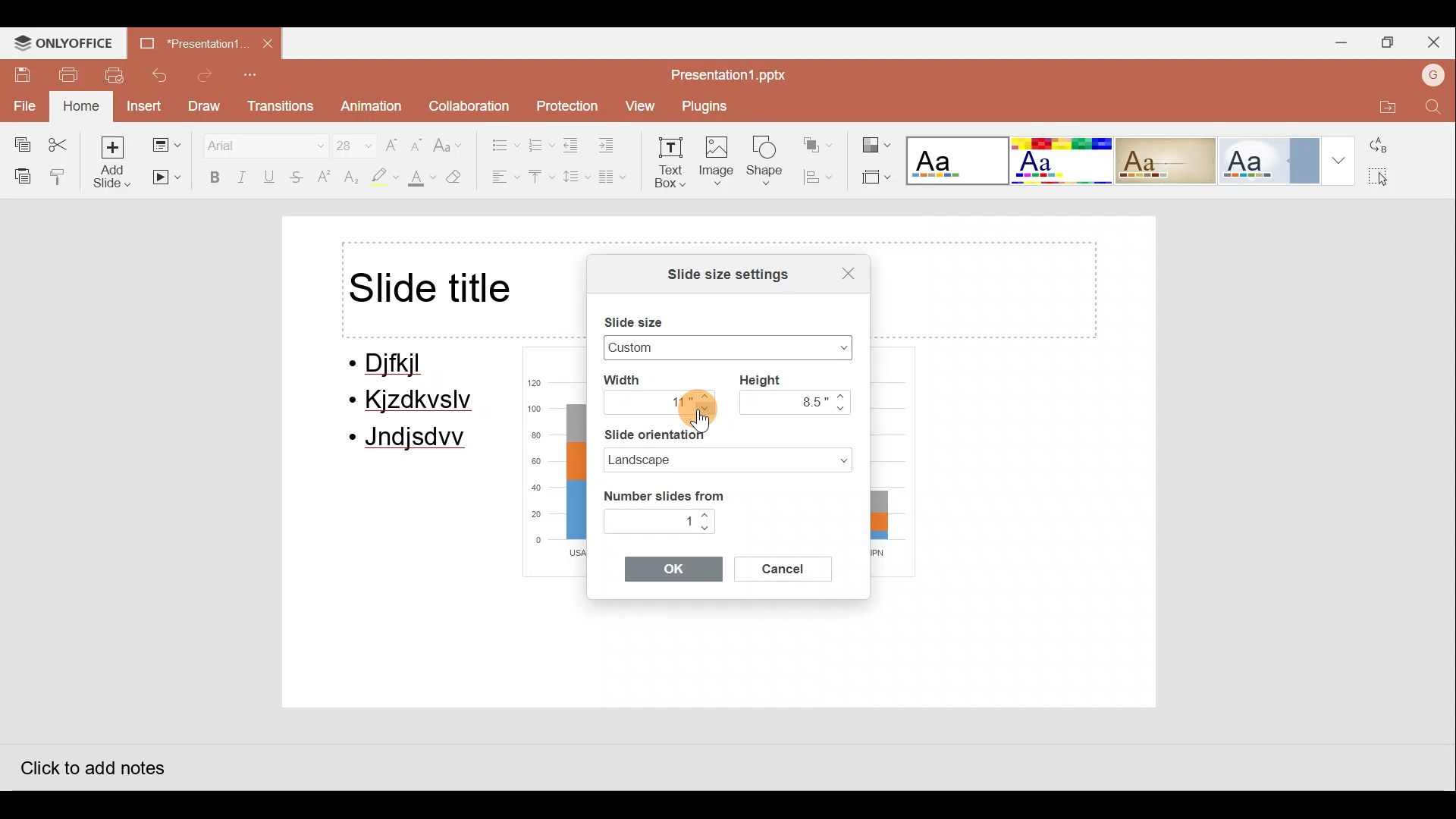 The image size is (1456, 819). What do you see at coordinates (1387, 179) in the screenshot?
I see `Select all` at bounding box center [1387, 179].